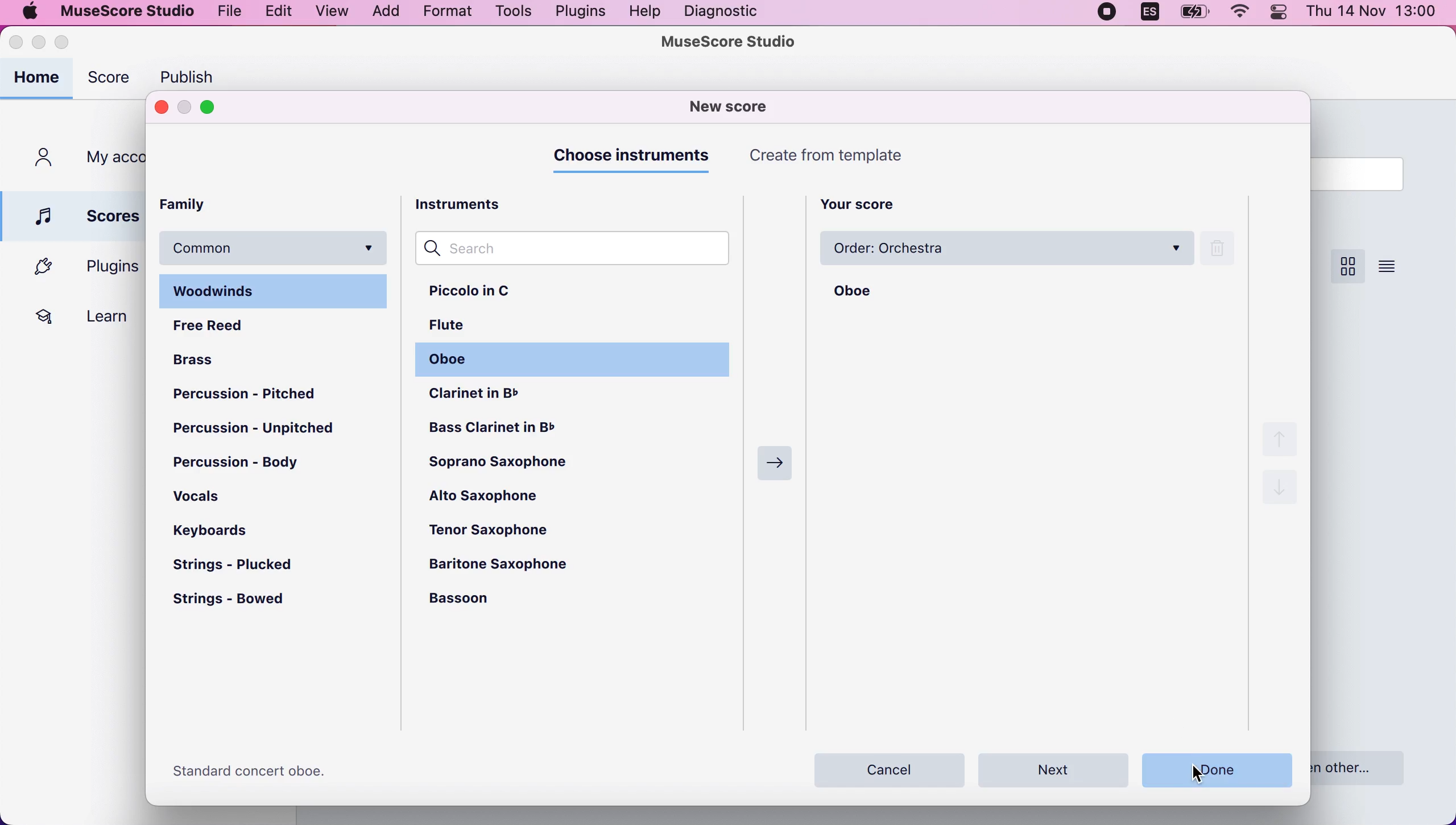 This screenshot has width=1456, height=825. Describe the element at coordinates (194, 74) in the screenshot. I see `publish` at that location.